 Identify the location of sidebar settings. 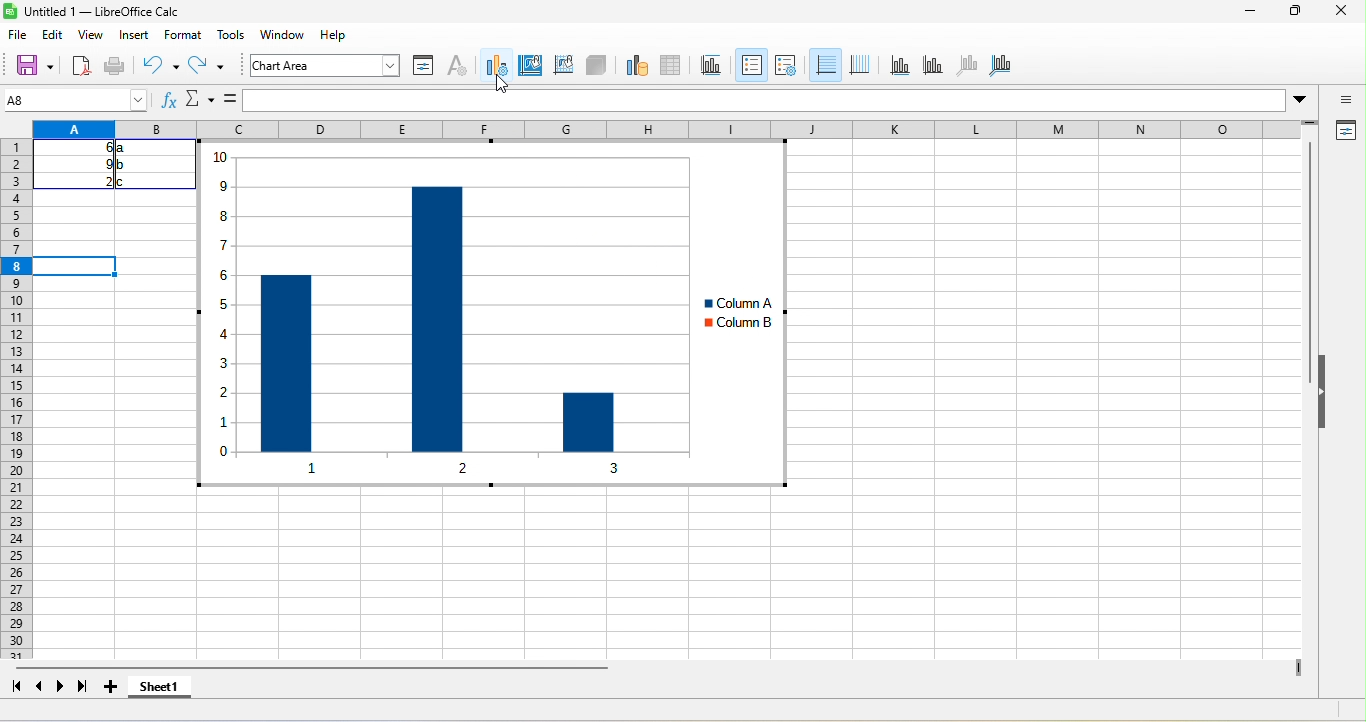
(1339, 102).